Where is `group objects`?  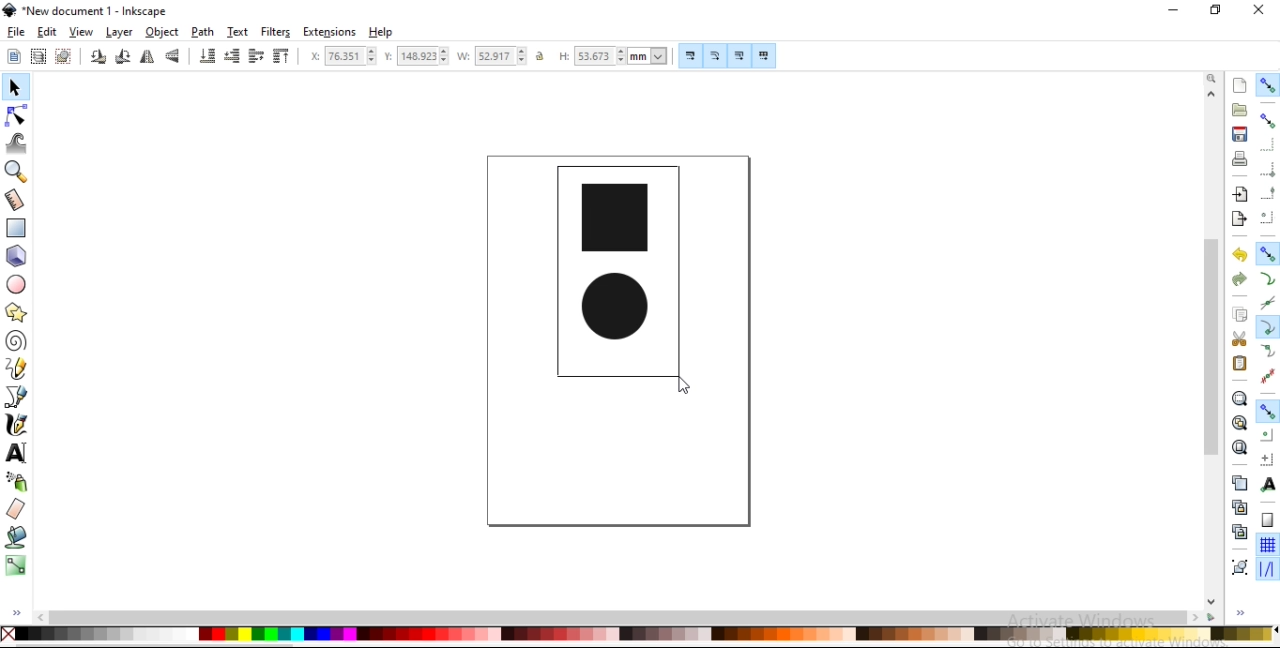
group objects is located at coordinates (1238, 567).